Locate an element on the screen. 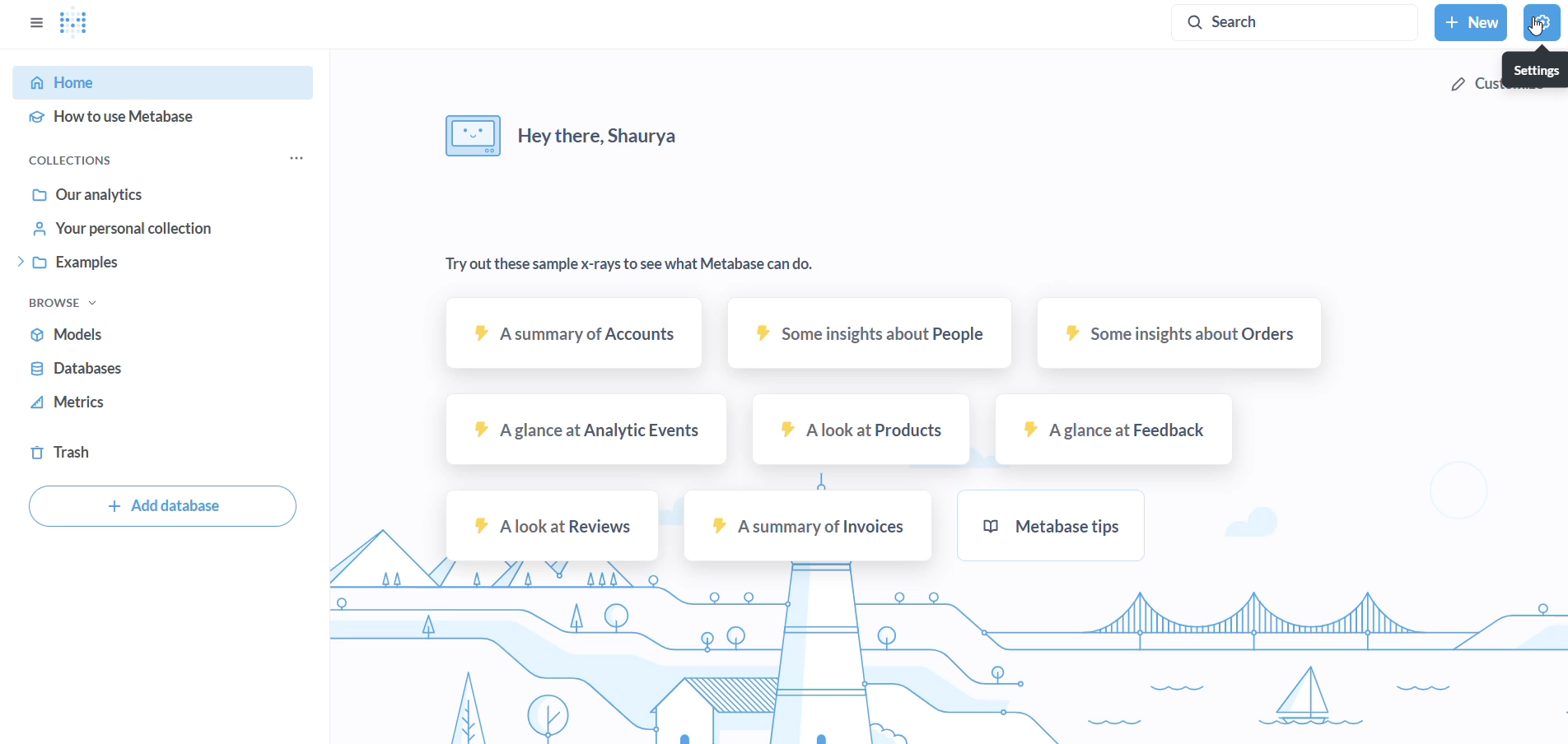 The height and width of the screenshot is (744, 1568). cursor is located at coordinates (1538, 28).